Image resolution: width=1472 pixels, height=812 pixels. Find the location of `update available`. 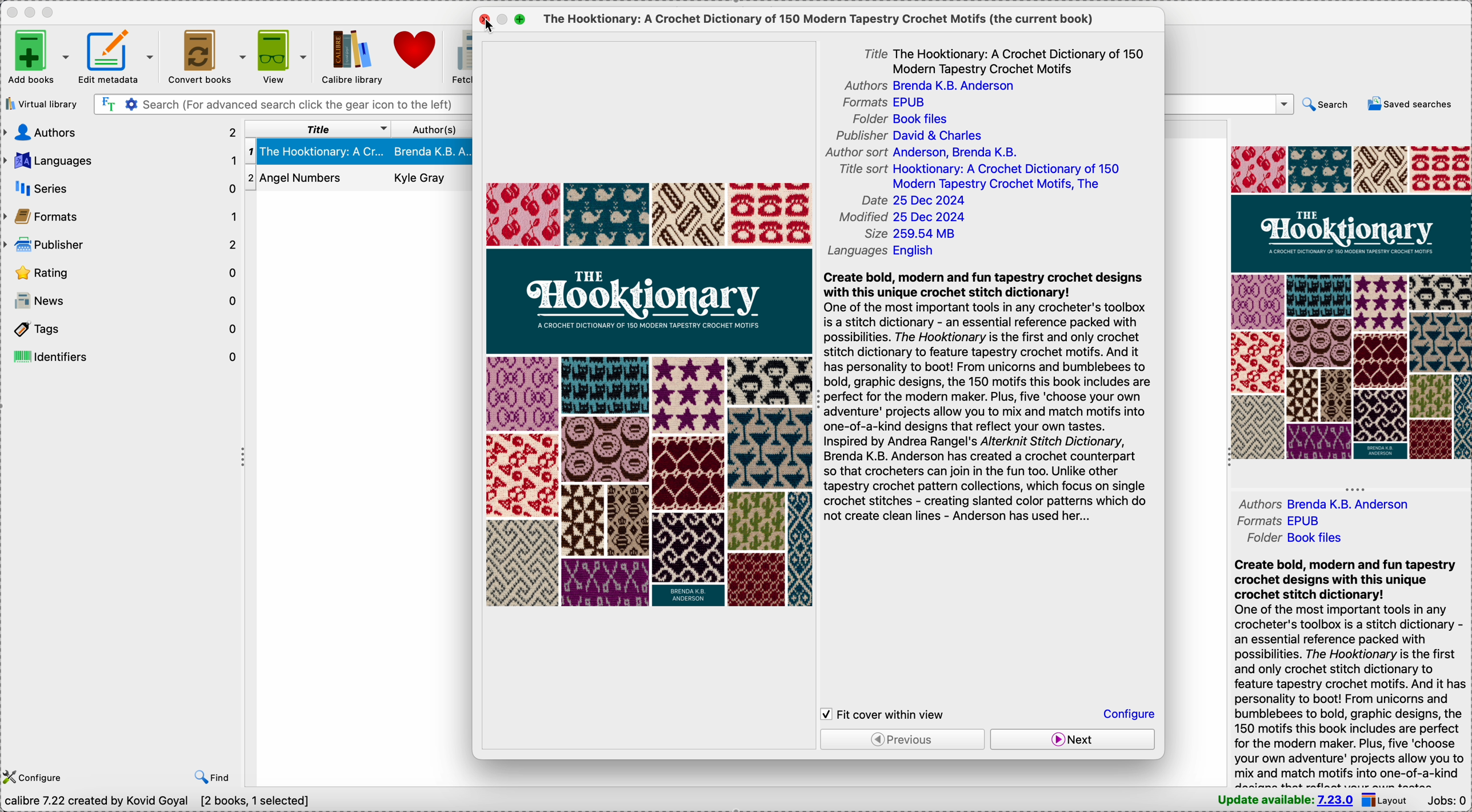

update available is located at coordinates (1286, 801).